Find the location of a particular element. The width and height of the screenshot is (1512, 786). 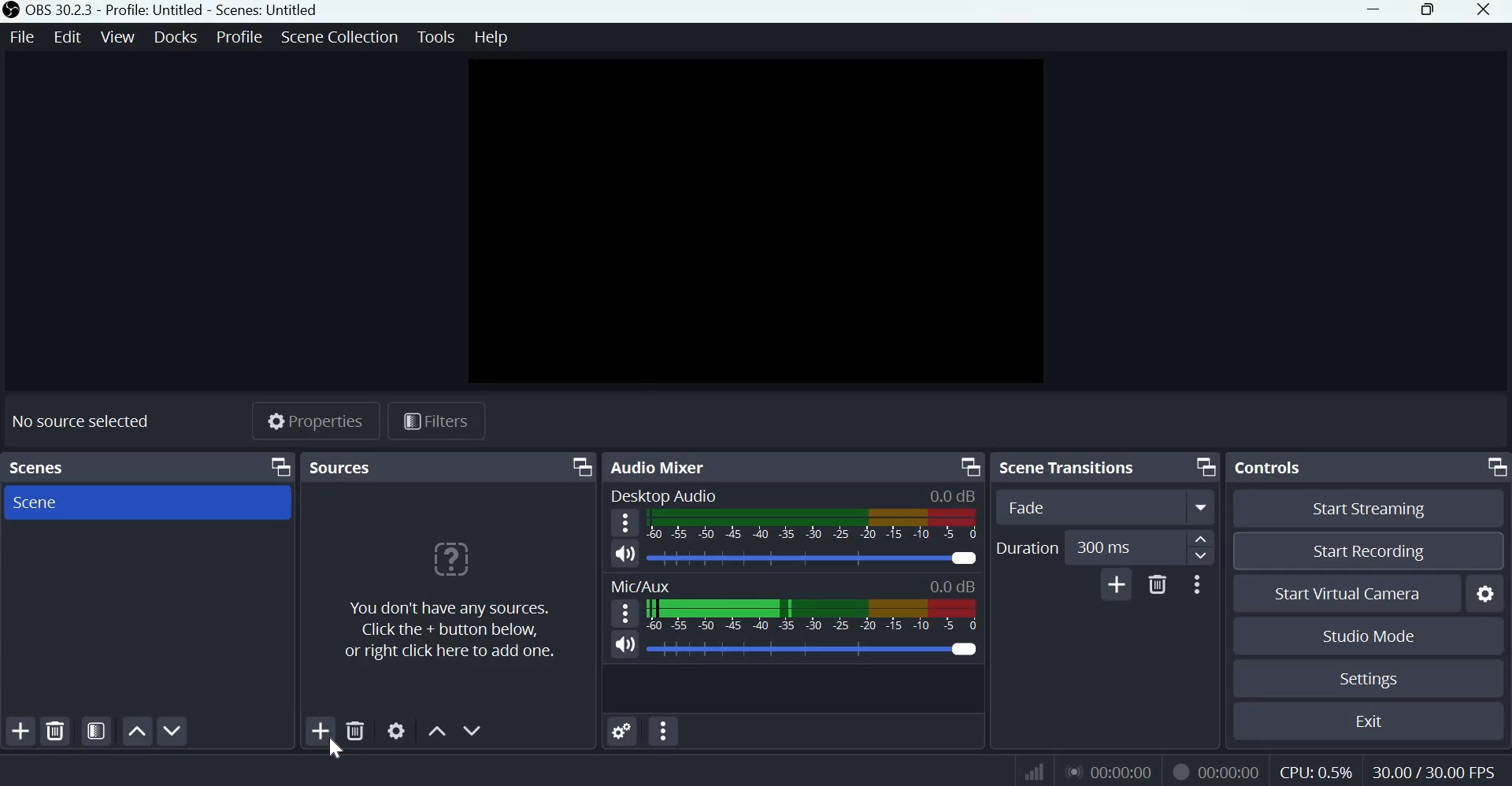

Exit is located at coordinates (1370, 719).